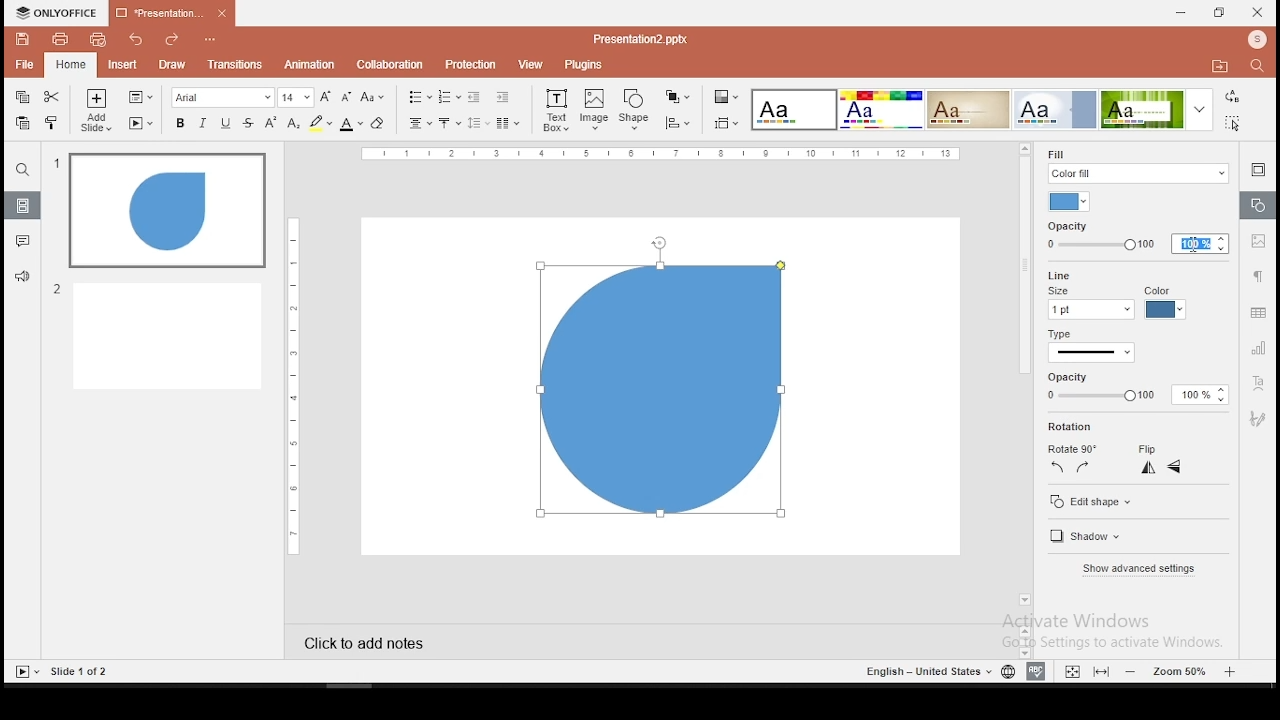  I want to click on theme, so click(968, 108).